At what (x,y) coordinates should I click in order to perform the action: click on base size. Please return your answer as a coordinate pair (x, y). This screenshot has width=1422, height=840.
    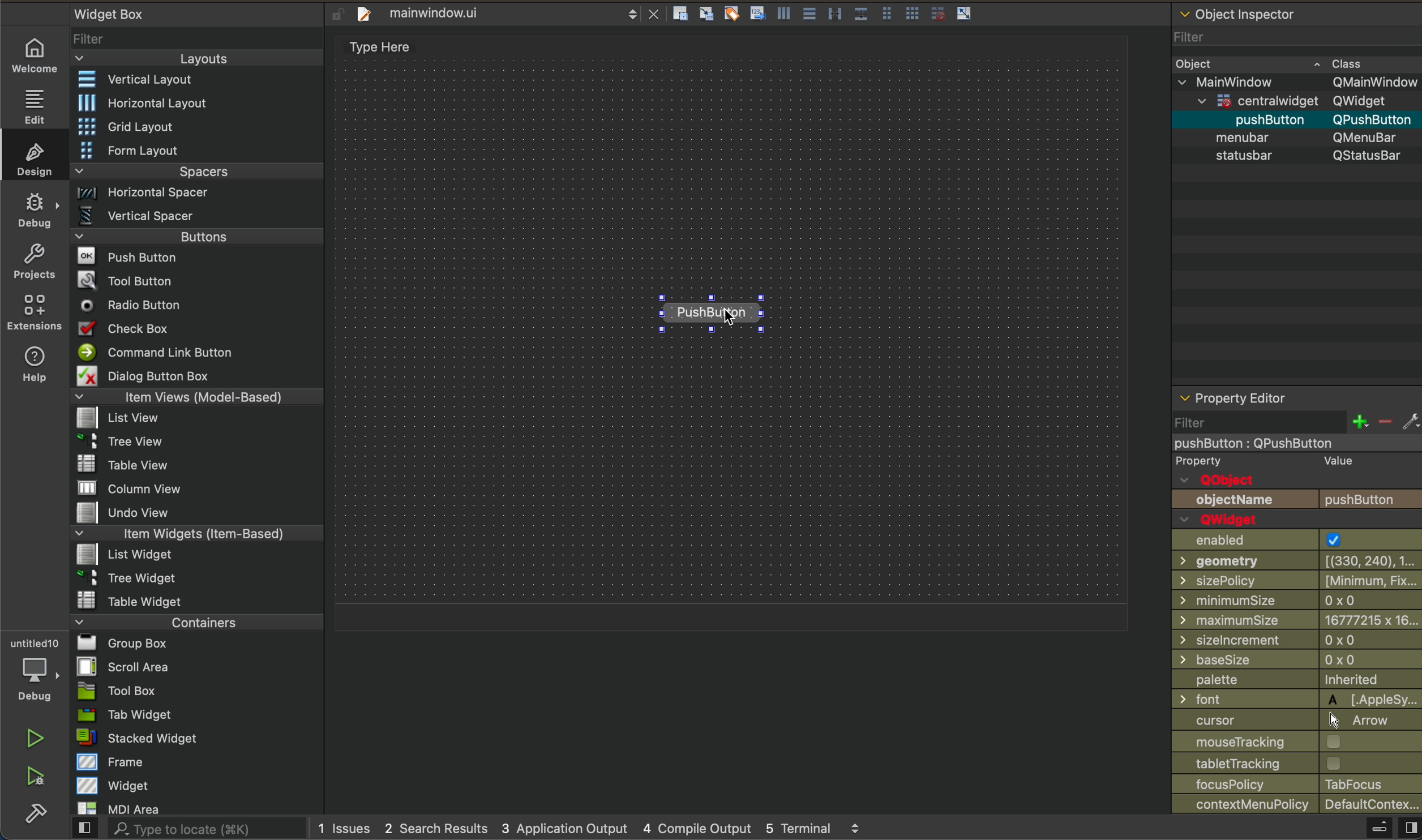
    Looking at the image, I should click on (1296, 659).